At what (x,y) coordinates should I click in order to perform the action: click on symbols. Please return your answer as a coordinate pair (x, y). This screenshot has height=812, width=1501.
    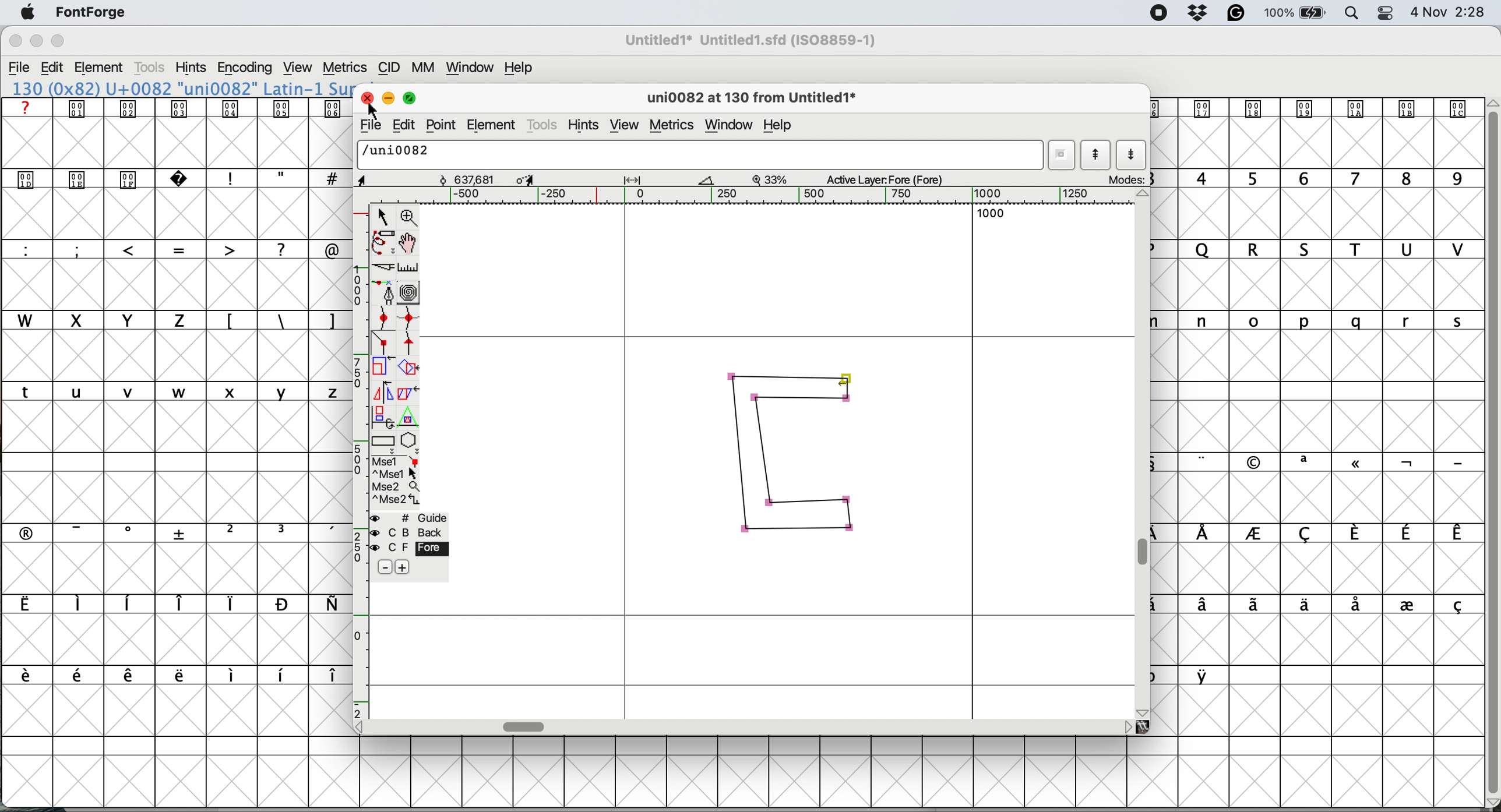
    Looking at the image, I should click on (1325, 606).